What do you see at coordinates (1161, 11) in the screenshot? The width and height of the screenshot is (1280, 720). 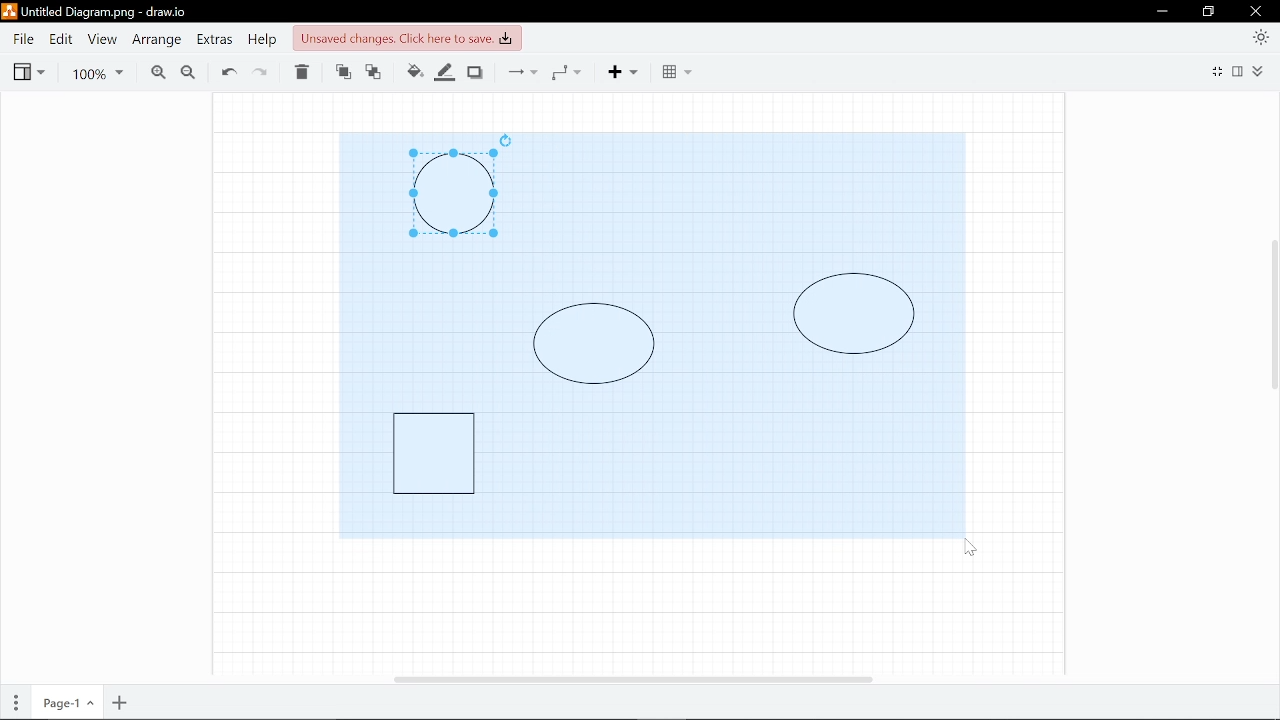 I see `Minimize` at bounding box center [1161, 11].